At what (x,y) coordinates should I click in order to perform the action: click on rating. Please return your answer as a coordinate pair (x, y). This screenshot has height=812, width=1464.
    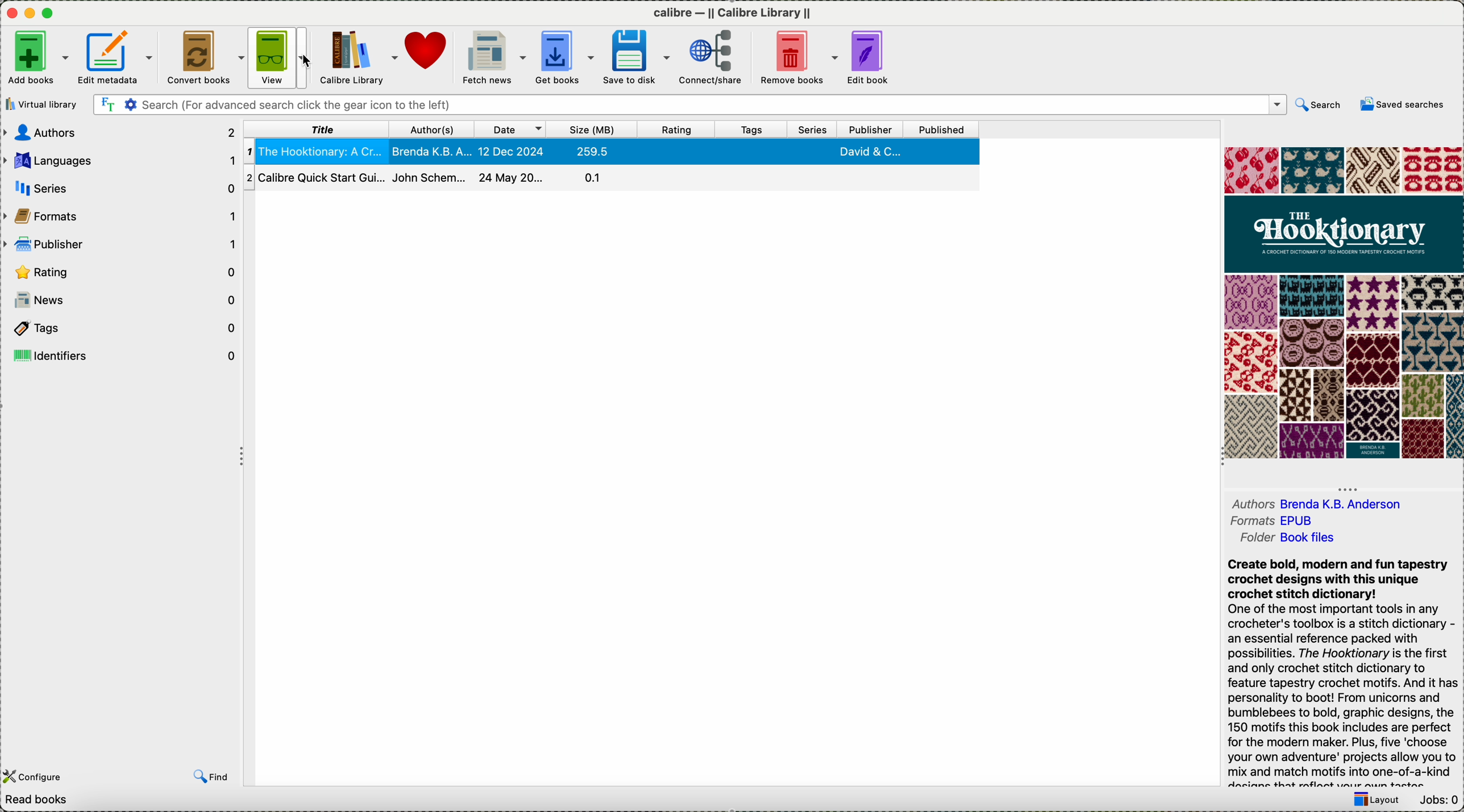
    Looking at the image, I should click on (123, 272).